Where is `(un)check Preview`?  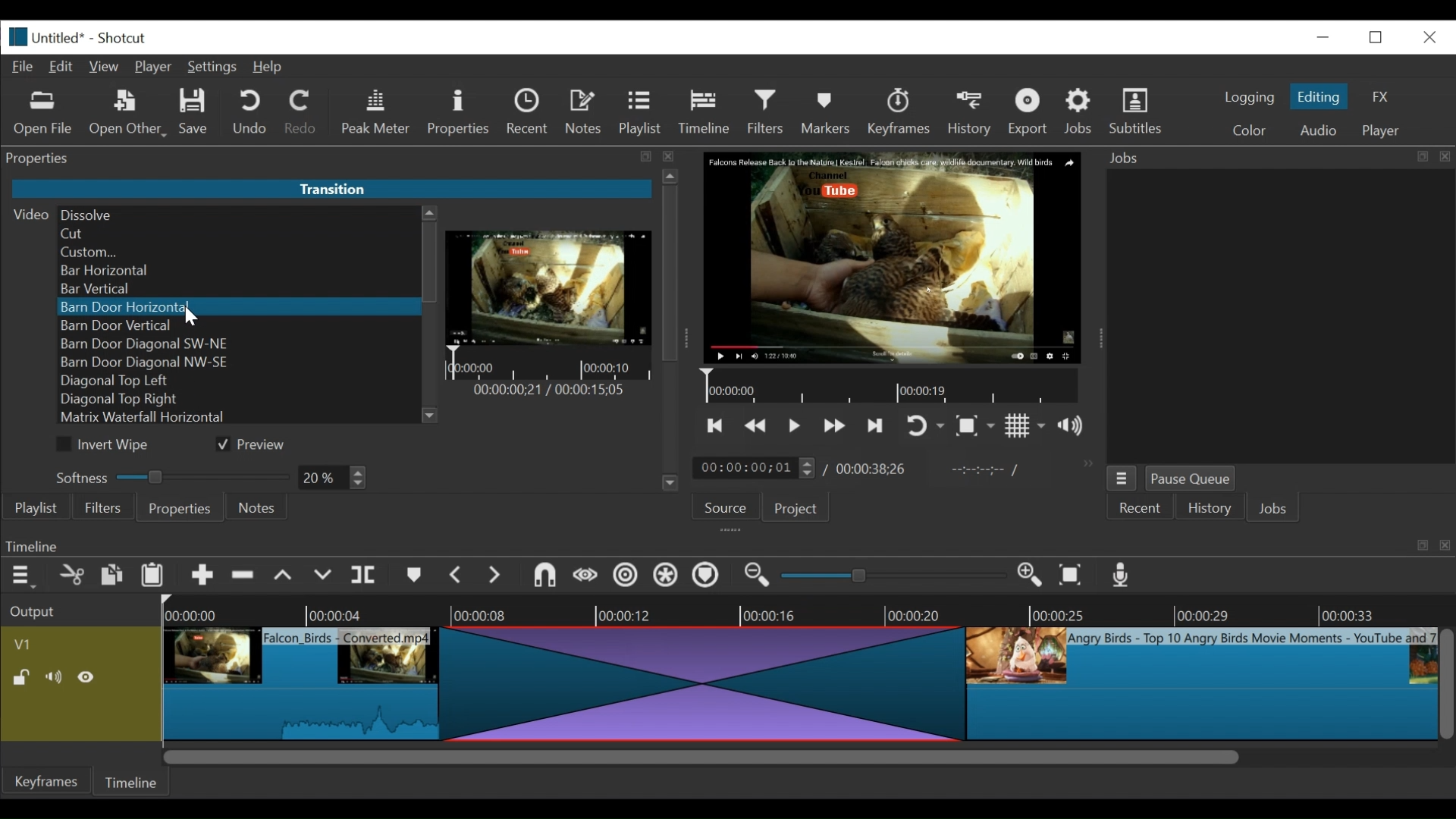 (un)check Preview is located at coordinates (258, 445).